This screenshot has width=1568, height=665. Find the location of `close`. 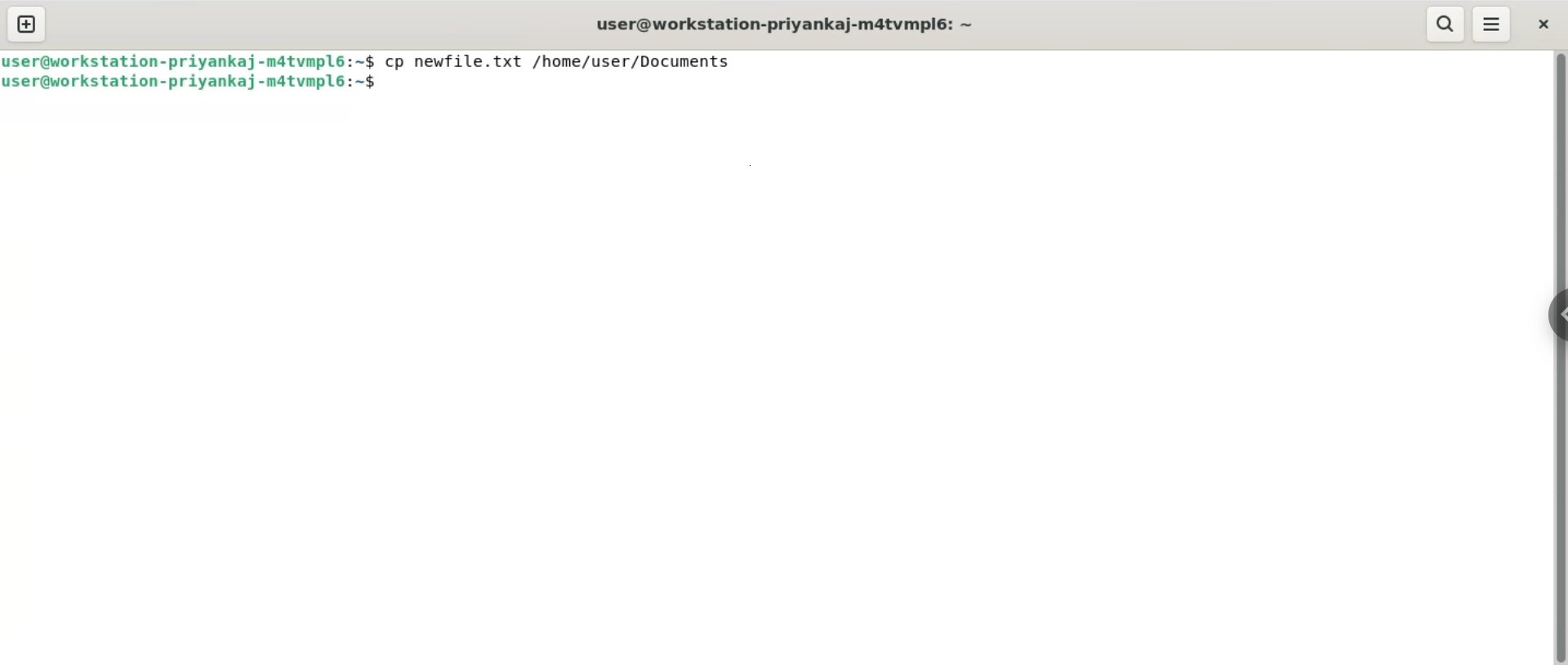

close is located at coordinates (1541, 21).